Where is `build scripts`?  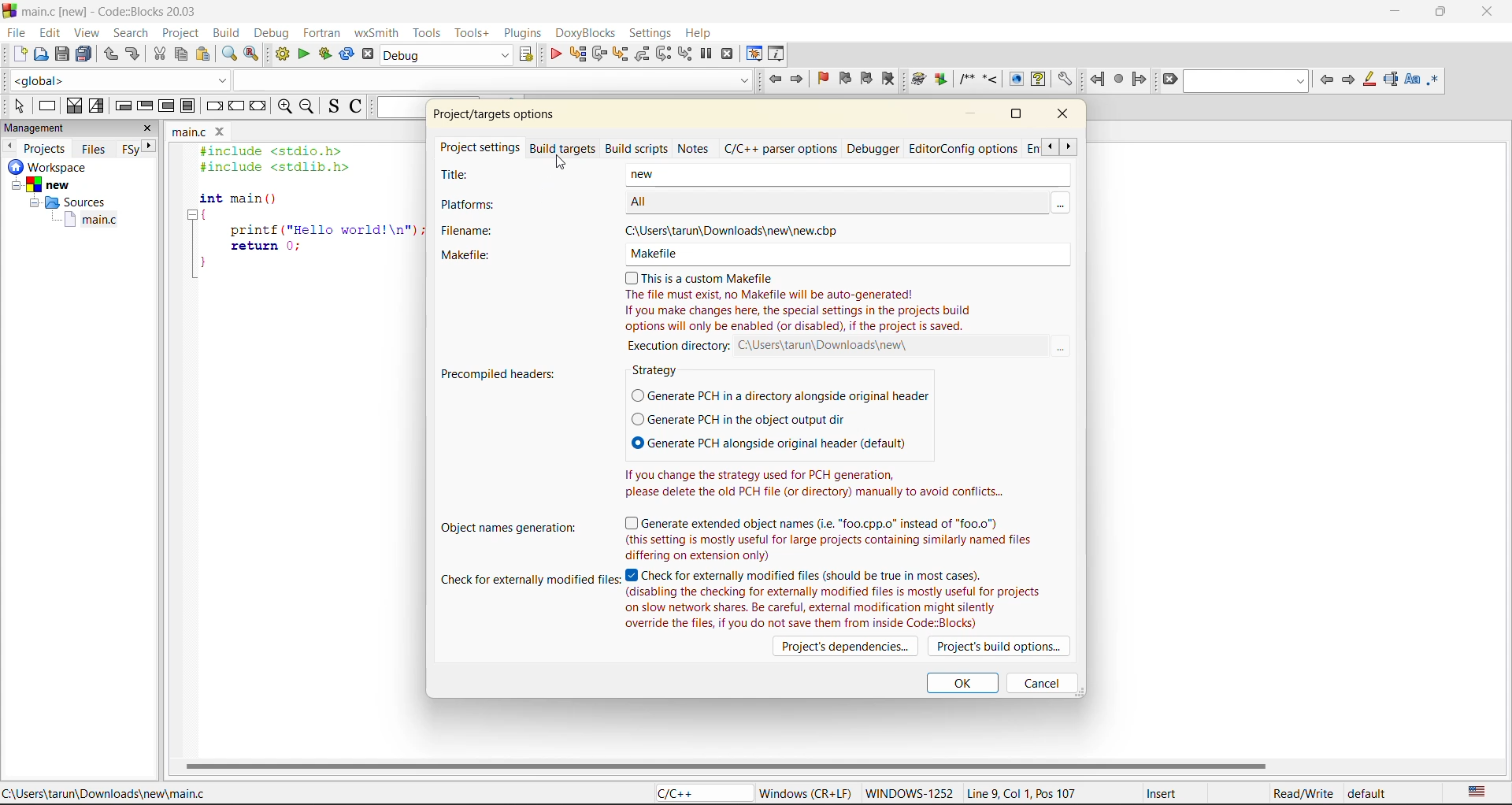 build scripts is located at coordinates (638, 149).